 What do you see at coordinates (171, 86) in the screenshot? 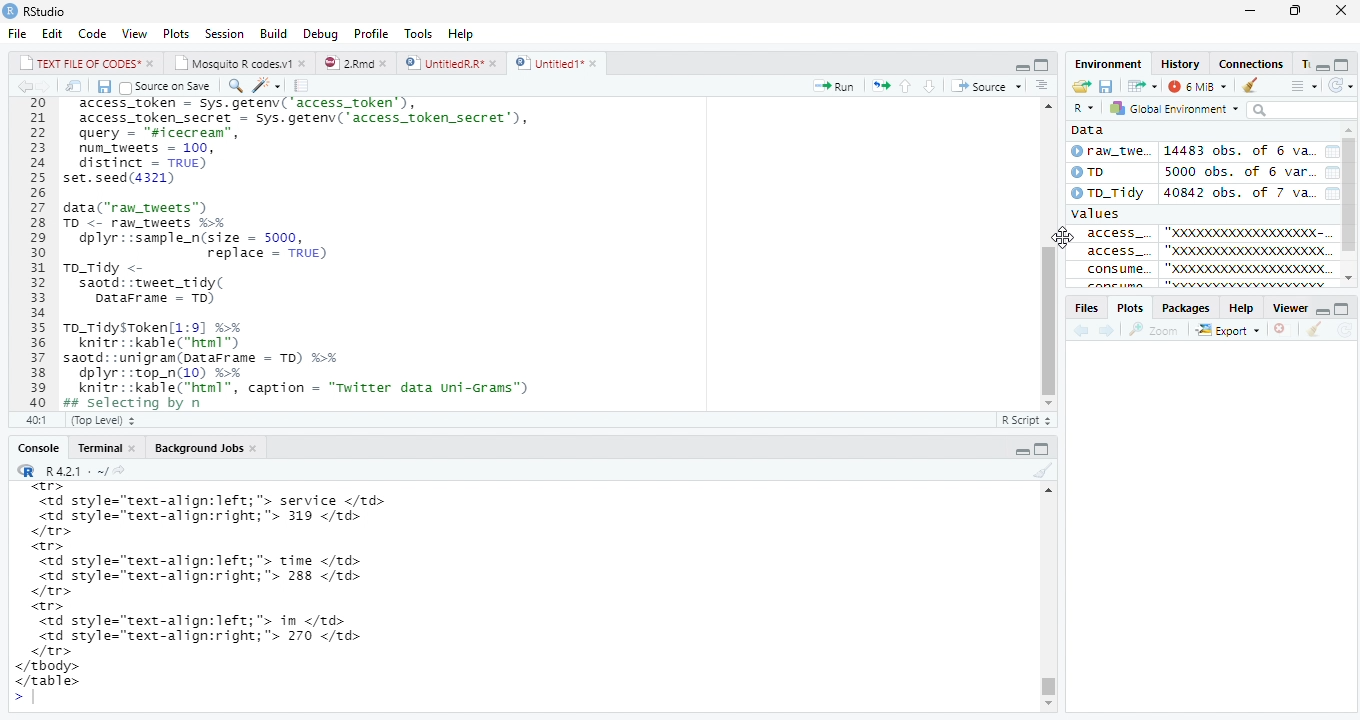
I see `Source on save` at bounding box center [171, 86].